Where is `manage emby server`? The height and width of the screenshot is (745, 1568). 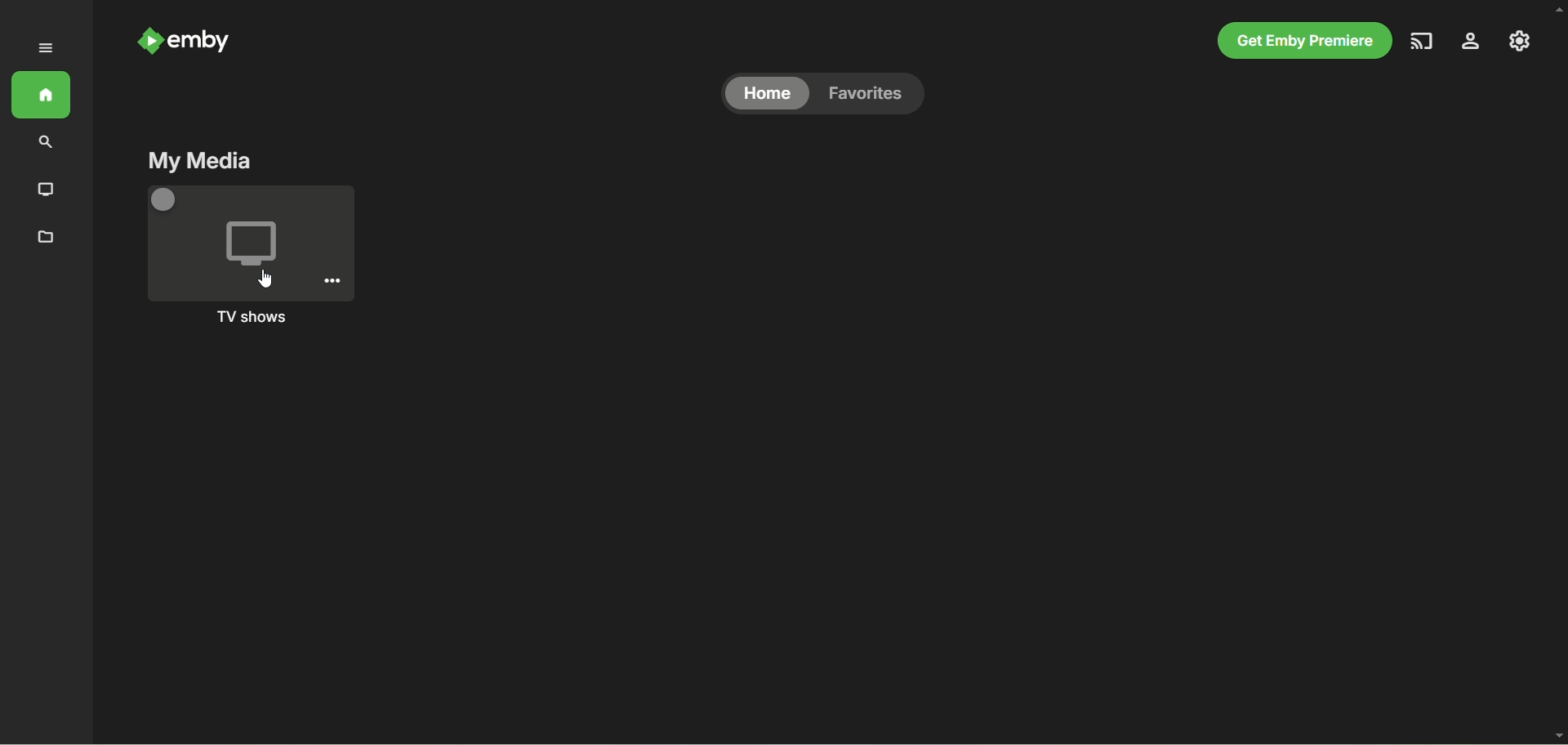
manage emby server is located at coordinates (1520, 41).